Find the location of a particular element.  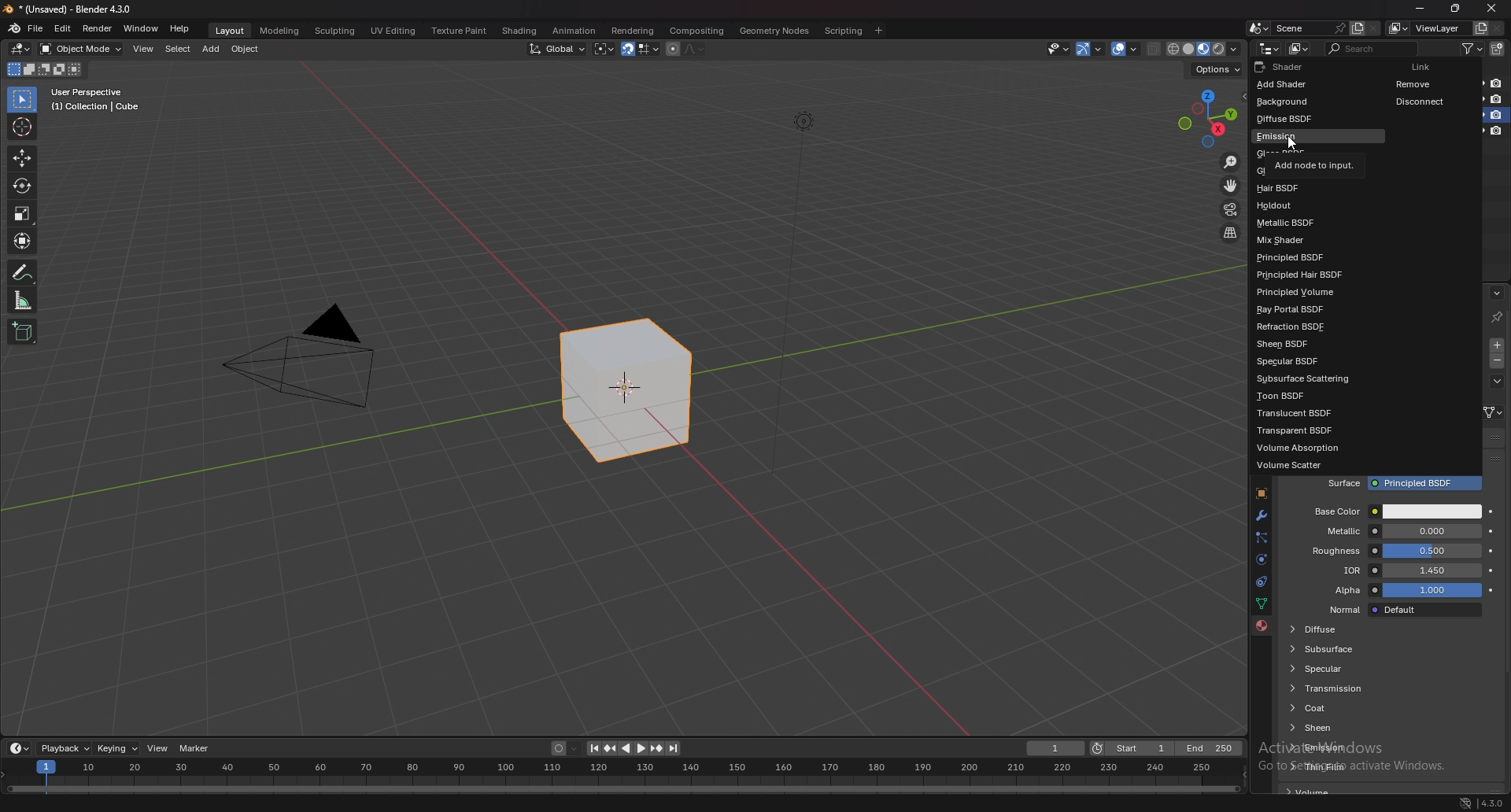

resize is located at coordinates (1455, 9).